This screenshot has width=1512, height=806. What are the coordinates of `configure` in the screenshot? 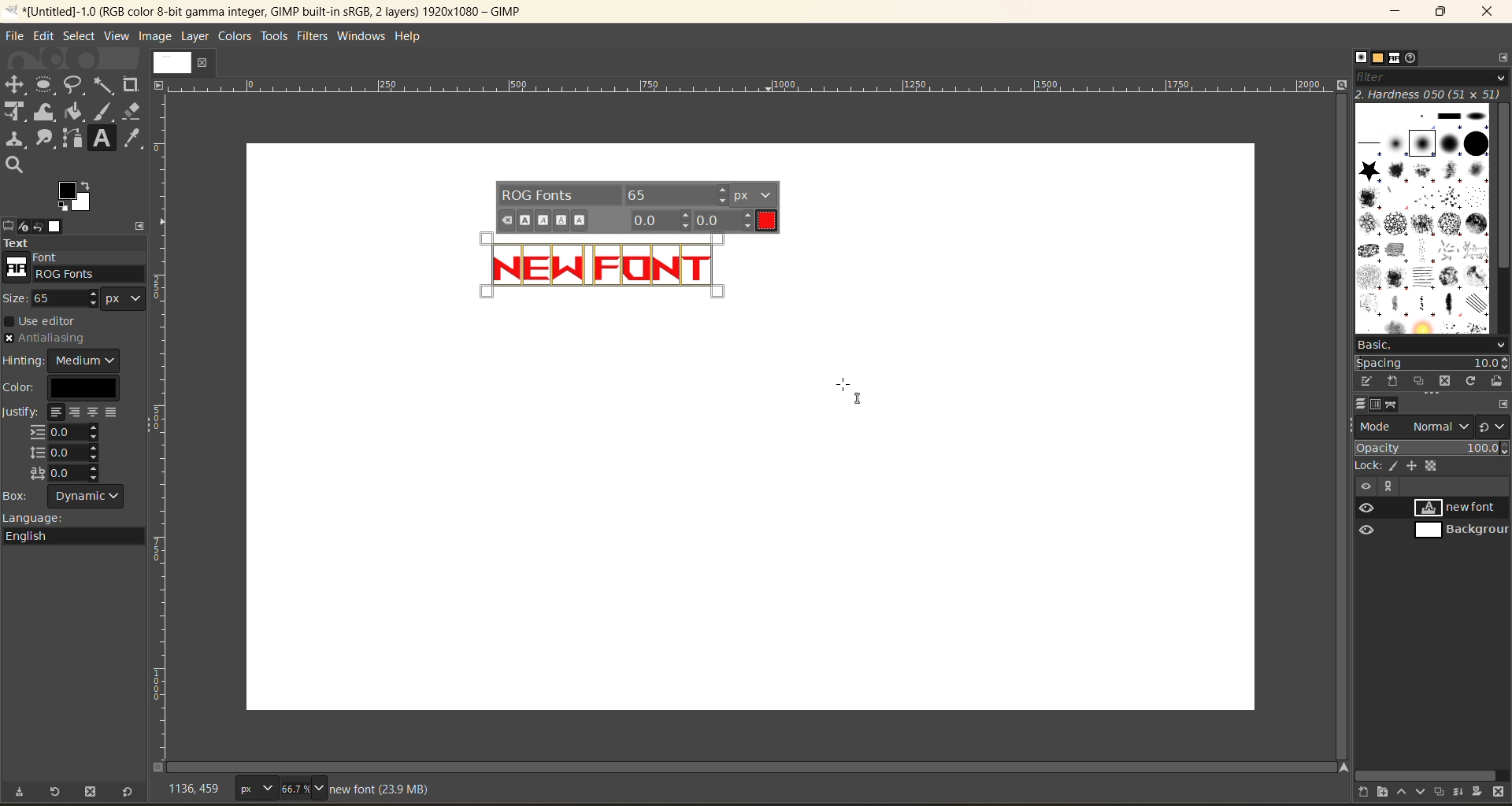 It's located at (1503, 60).